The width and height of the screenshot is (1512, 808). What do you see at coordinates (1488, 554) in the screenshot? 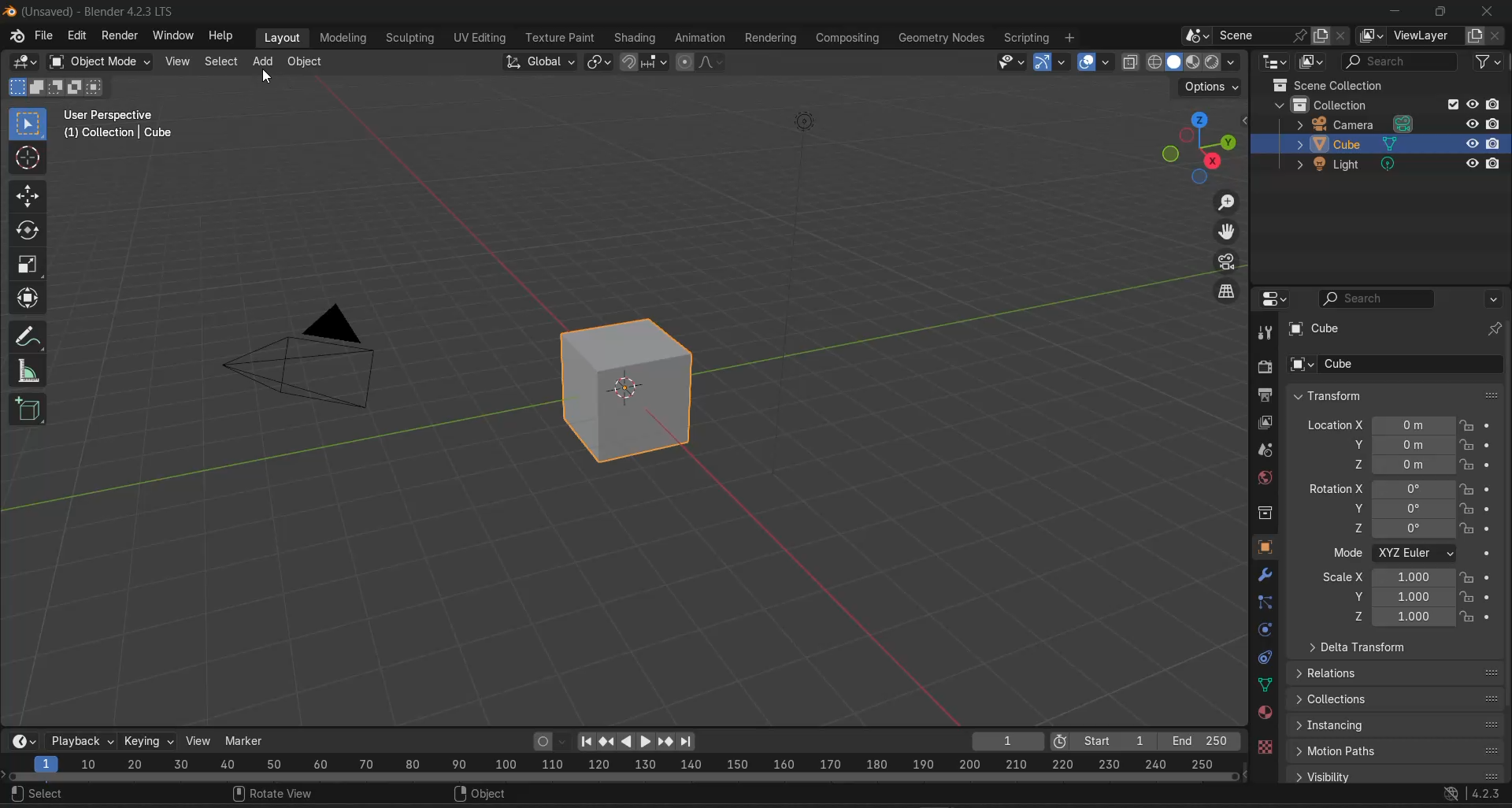
I see `animate property` at bounding box center [1488, 554].